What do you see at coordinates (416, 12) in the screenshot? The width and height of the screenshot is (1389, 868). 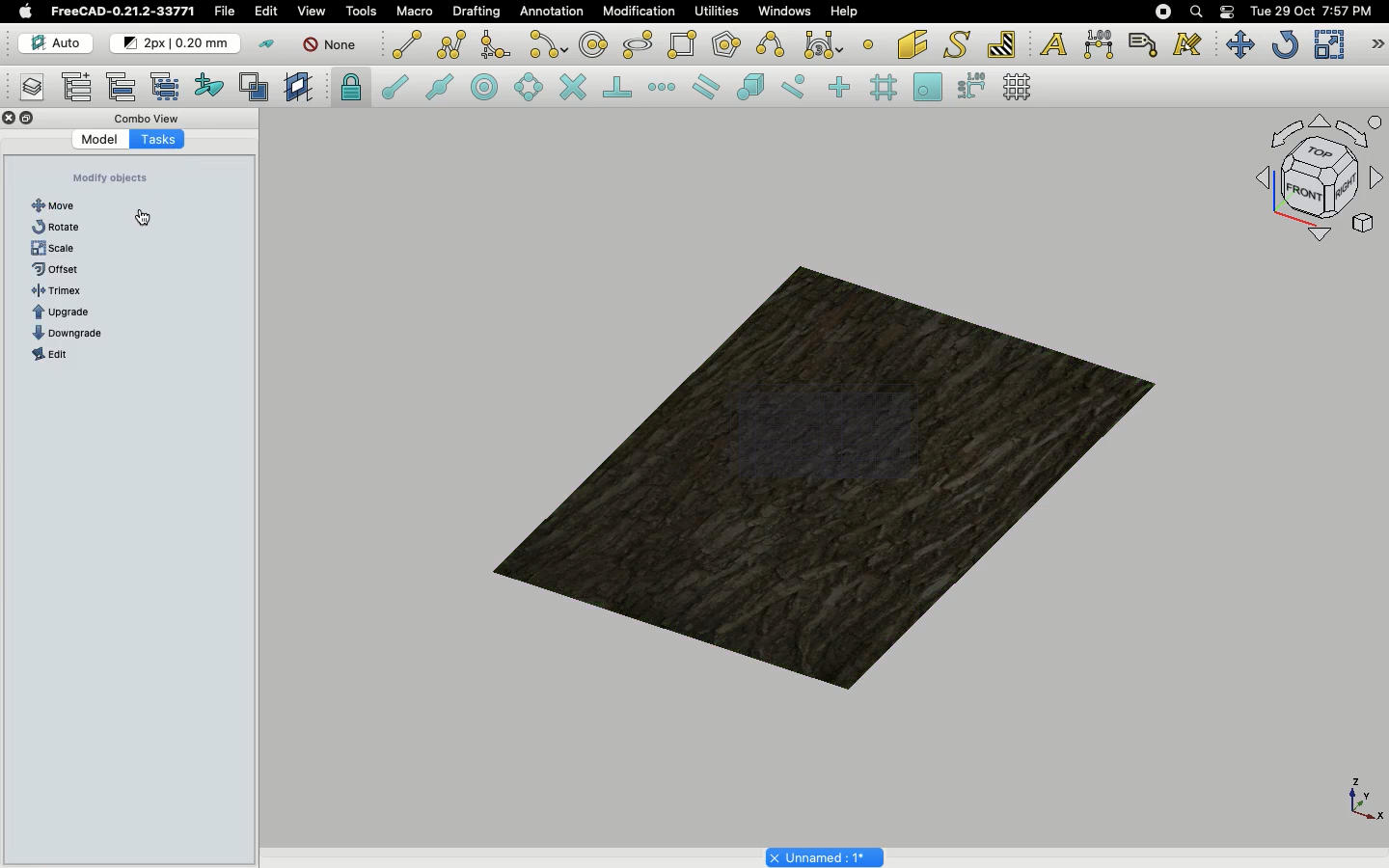 I see `Macro` at bounding box center [416, 12].